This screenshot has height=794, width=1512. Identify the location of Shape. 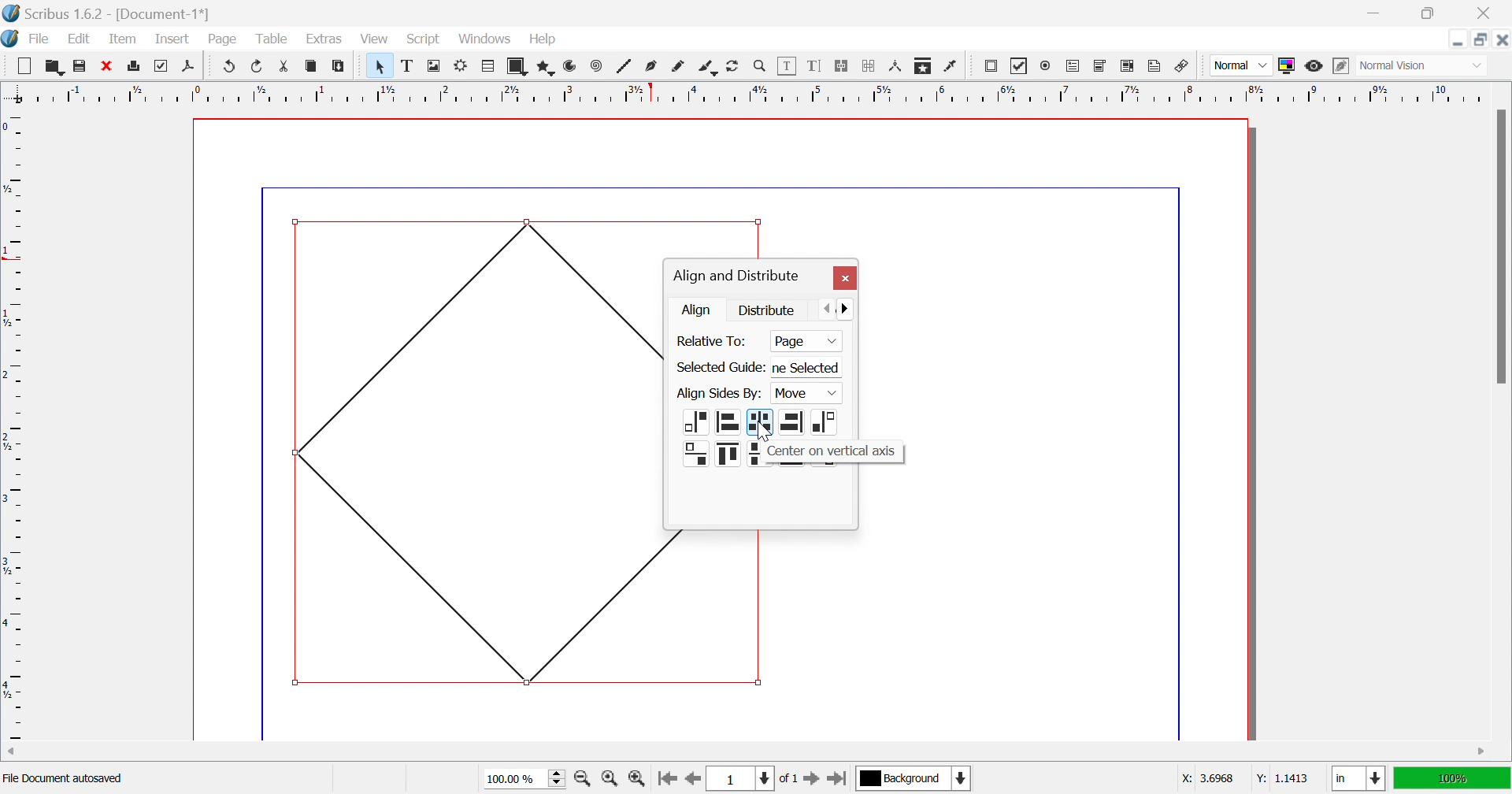
(475, 448).